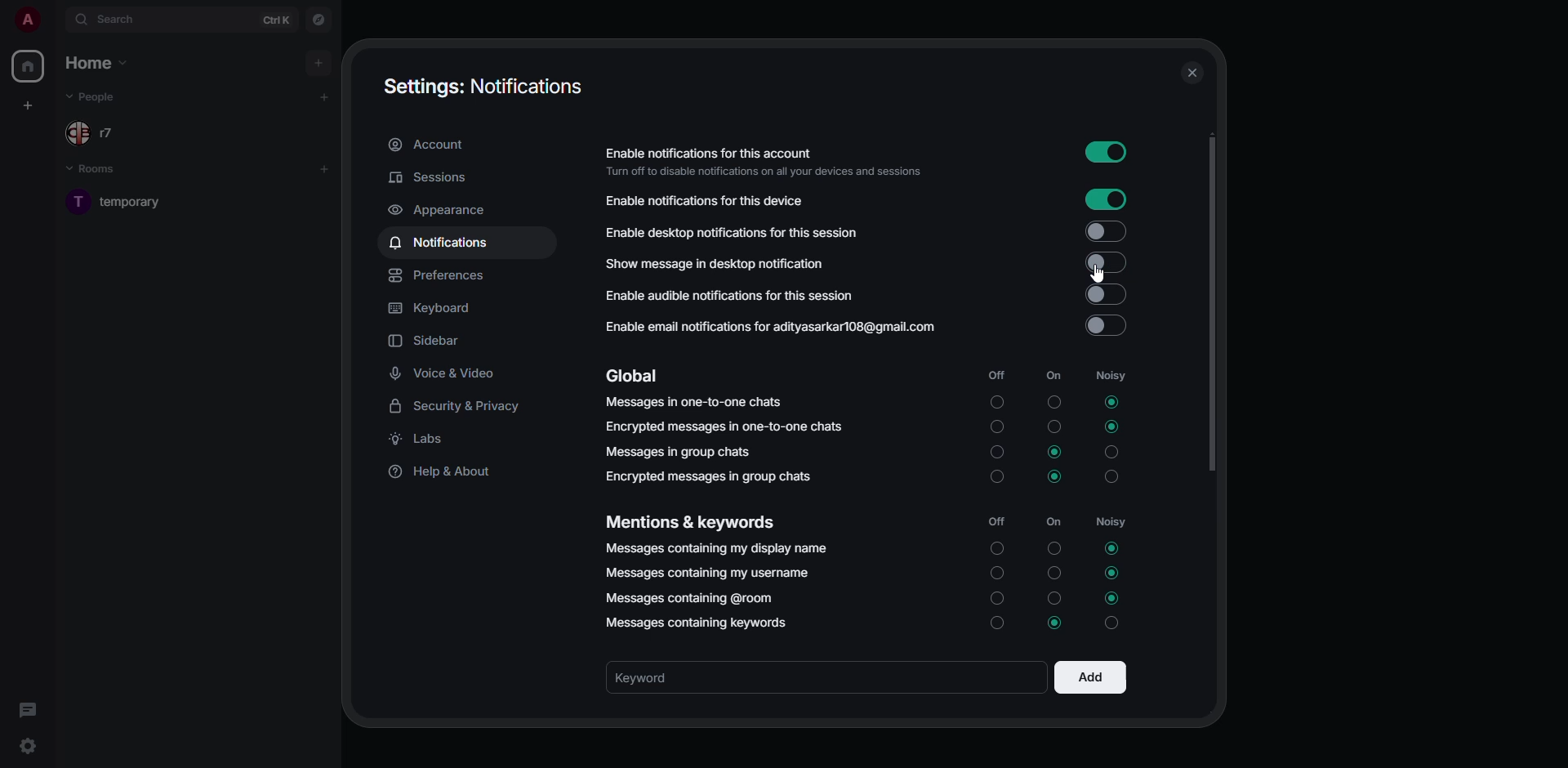  Describe the element at coordinates (999, 427) in the screenshot. I see `Off Unselected` at that location.